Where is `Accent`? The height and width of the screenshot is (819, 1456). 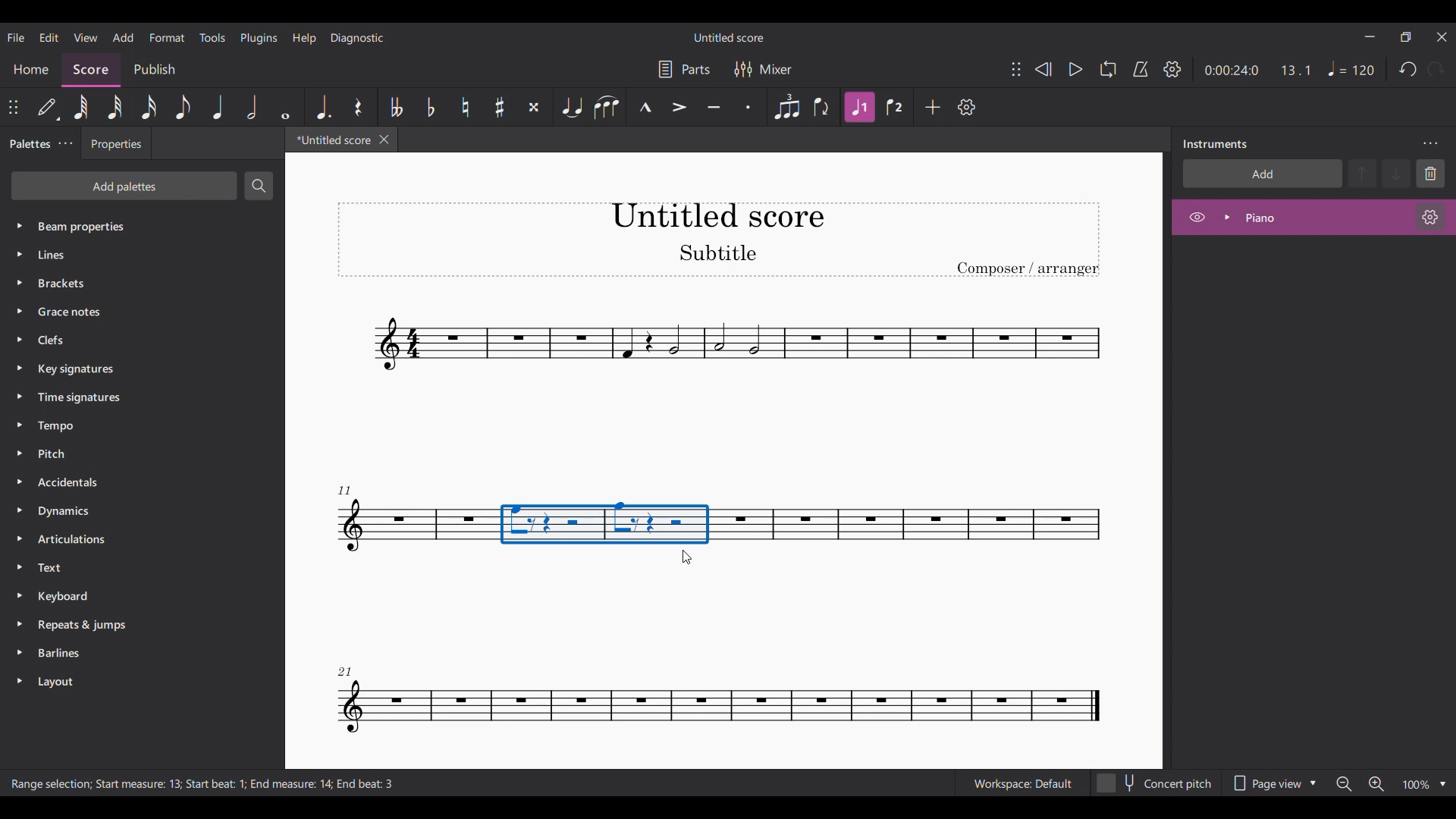
Accent is located at coordinates (679, 108).